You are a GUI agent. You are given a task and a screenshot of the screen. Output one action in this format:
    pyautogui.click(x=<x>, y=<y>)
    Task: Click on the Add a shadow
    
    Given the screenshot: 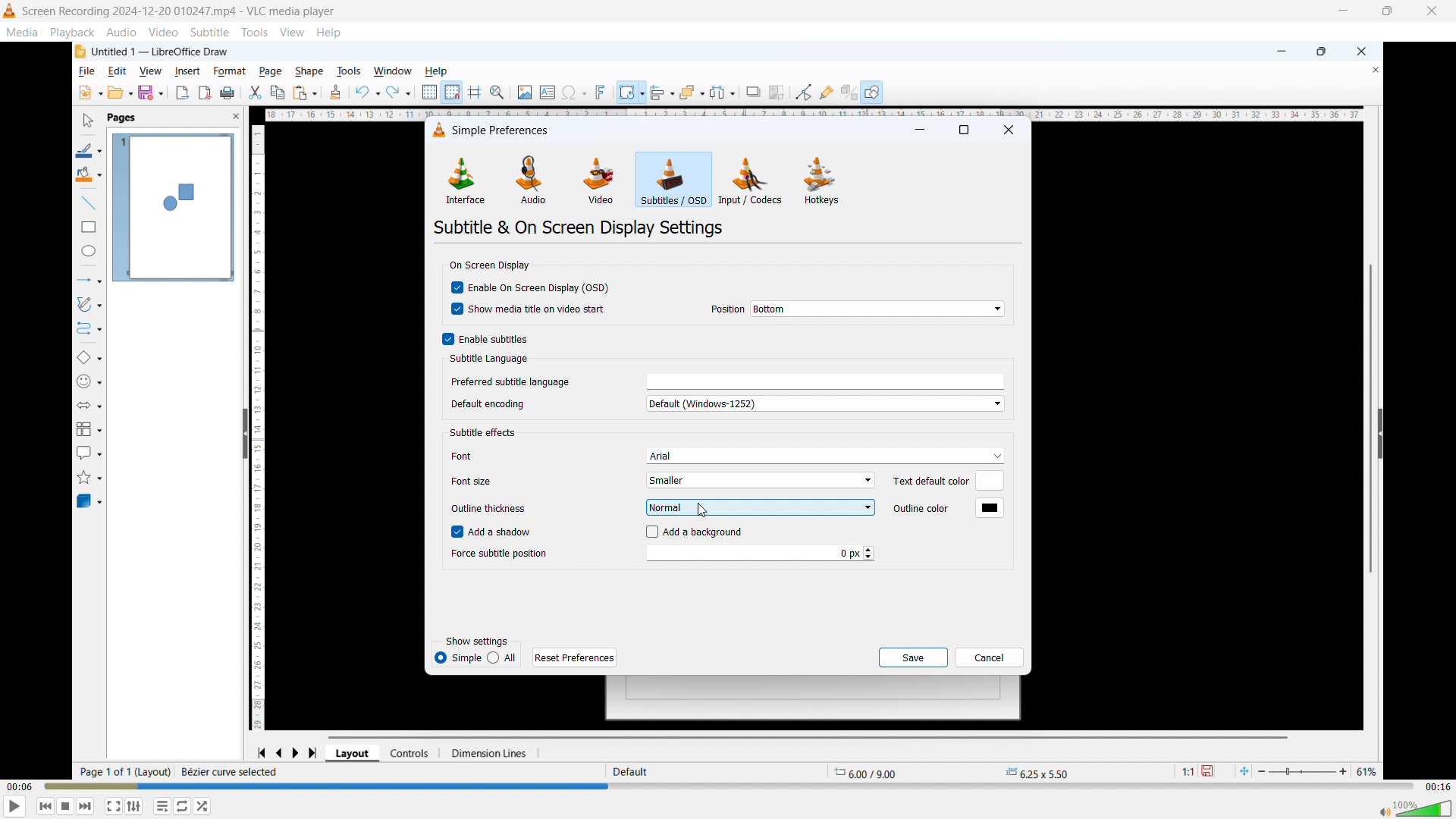 What is the action you would take?
    pyautogui.click(x=492, y=532)
    